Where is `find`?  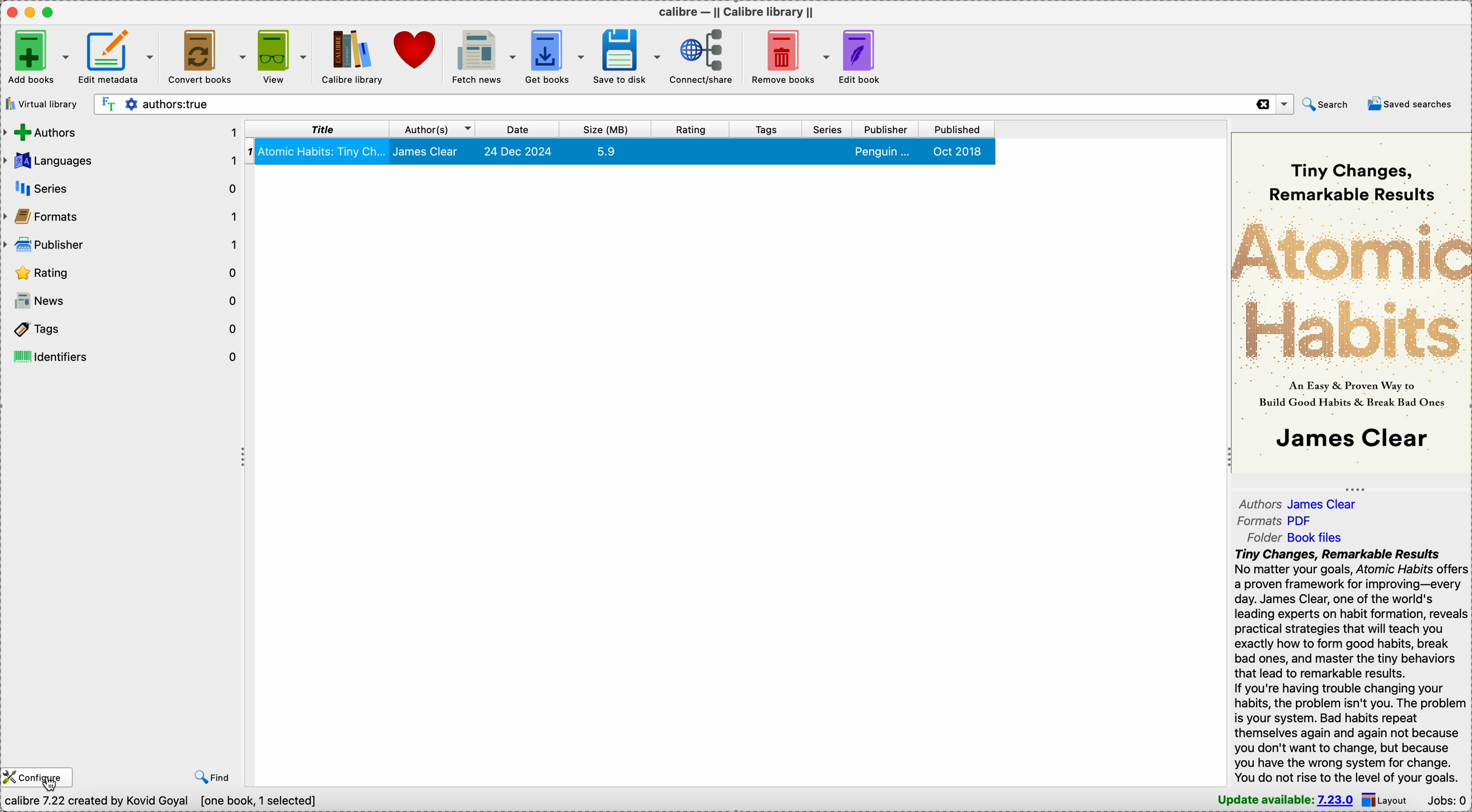 find is located at coordinates (213, 777).